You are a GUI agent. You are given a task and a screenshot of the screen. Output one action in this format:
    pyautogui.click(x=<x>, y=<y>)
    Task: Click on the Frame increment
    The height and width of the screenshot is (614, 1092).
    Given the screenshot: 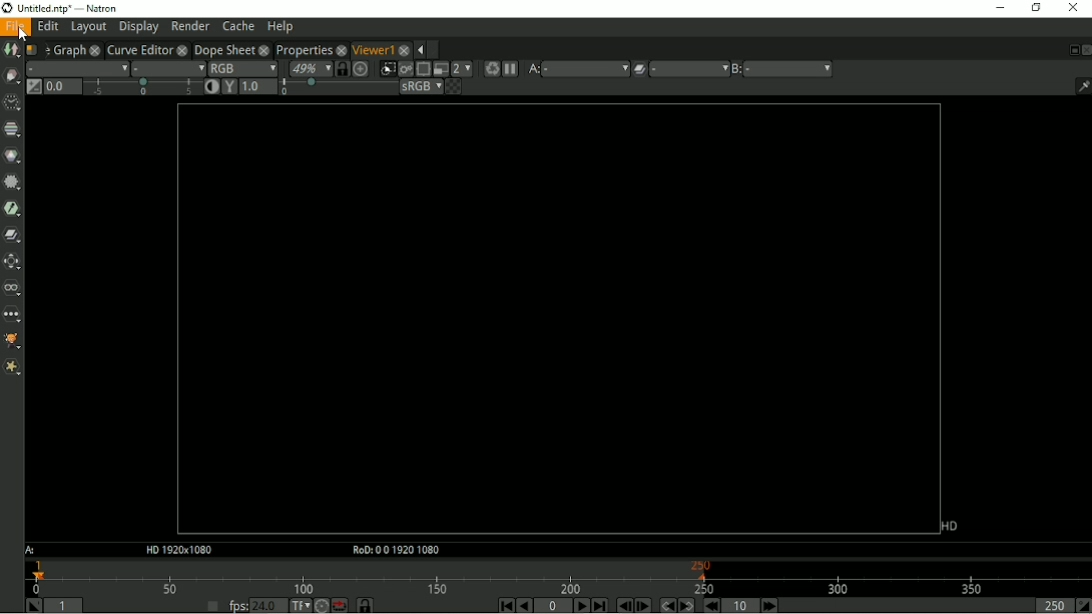 What is the action you would take?
    pyautogui.click(x=742, y=605)
    